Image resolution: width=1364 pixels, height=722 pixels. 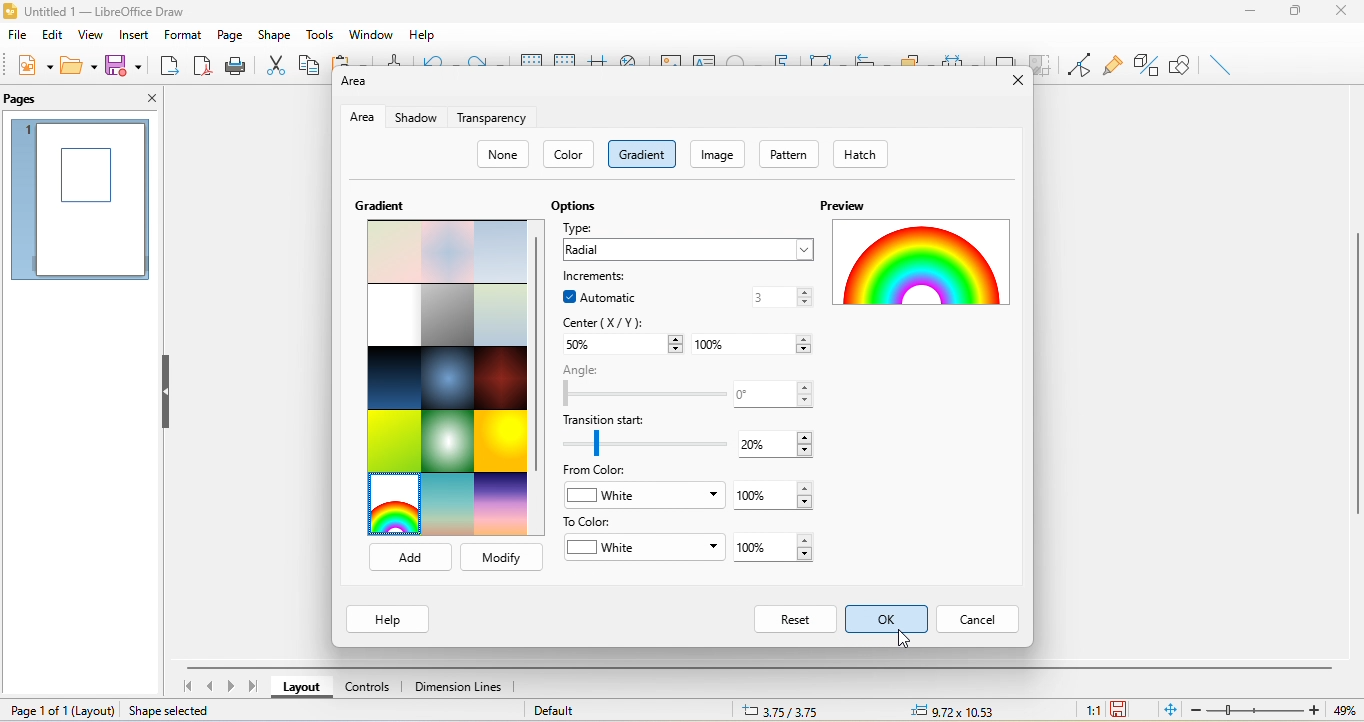 What do you see at coordinates (447, 443) in the screenshot?
I see `neon light` at bounding box center [447, 443].